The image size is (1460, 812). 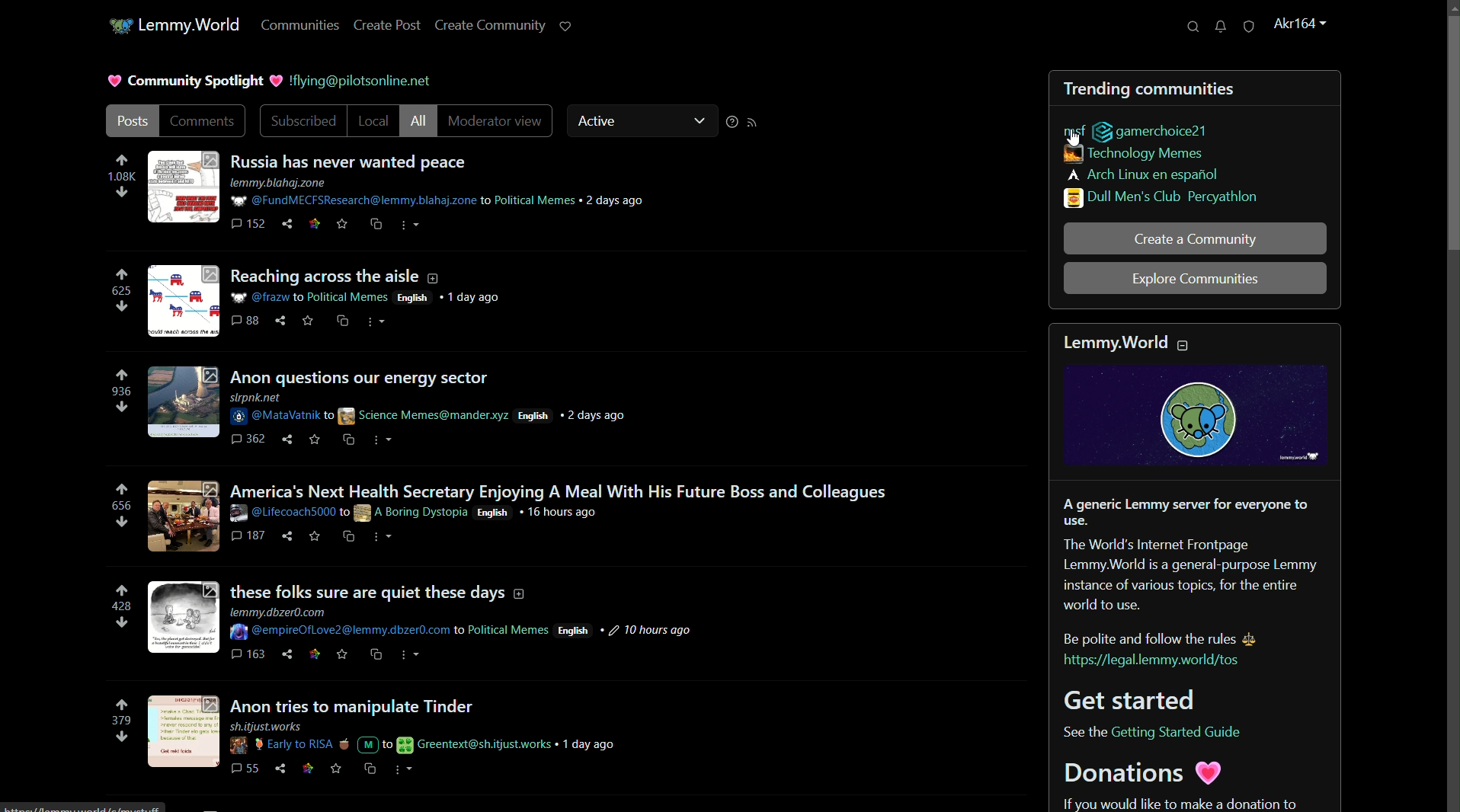 What do you see at coordinates (191, 25) in the screenshot?
I see `server name` at bounding box center [191, 25].